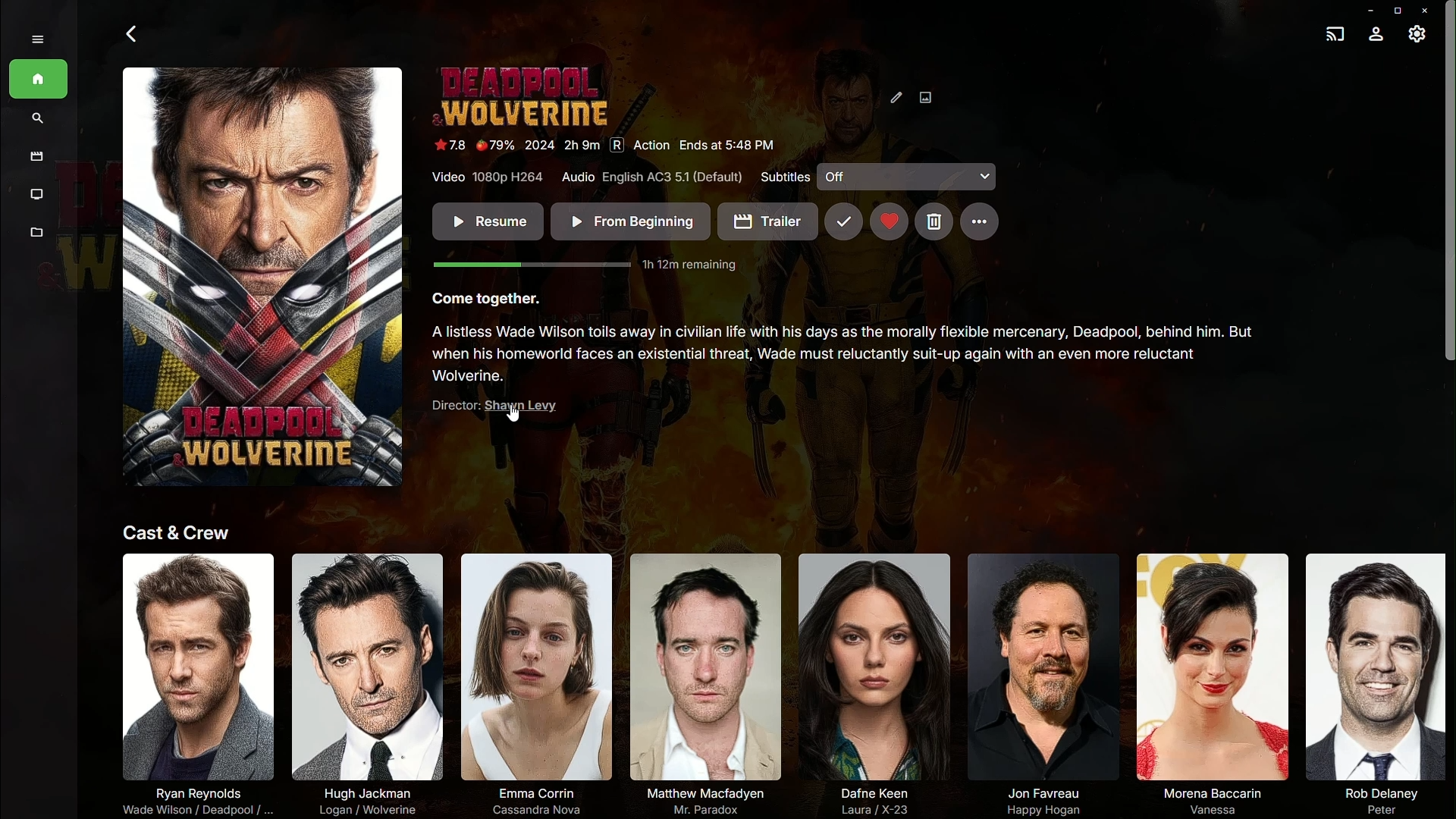 The image size is (1456, 819). Describe the element at coordinates (33, 235) in the screenshot. I see `Metadata` at that location.